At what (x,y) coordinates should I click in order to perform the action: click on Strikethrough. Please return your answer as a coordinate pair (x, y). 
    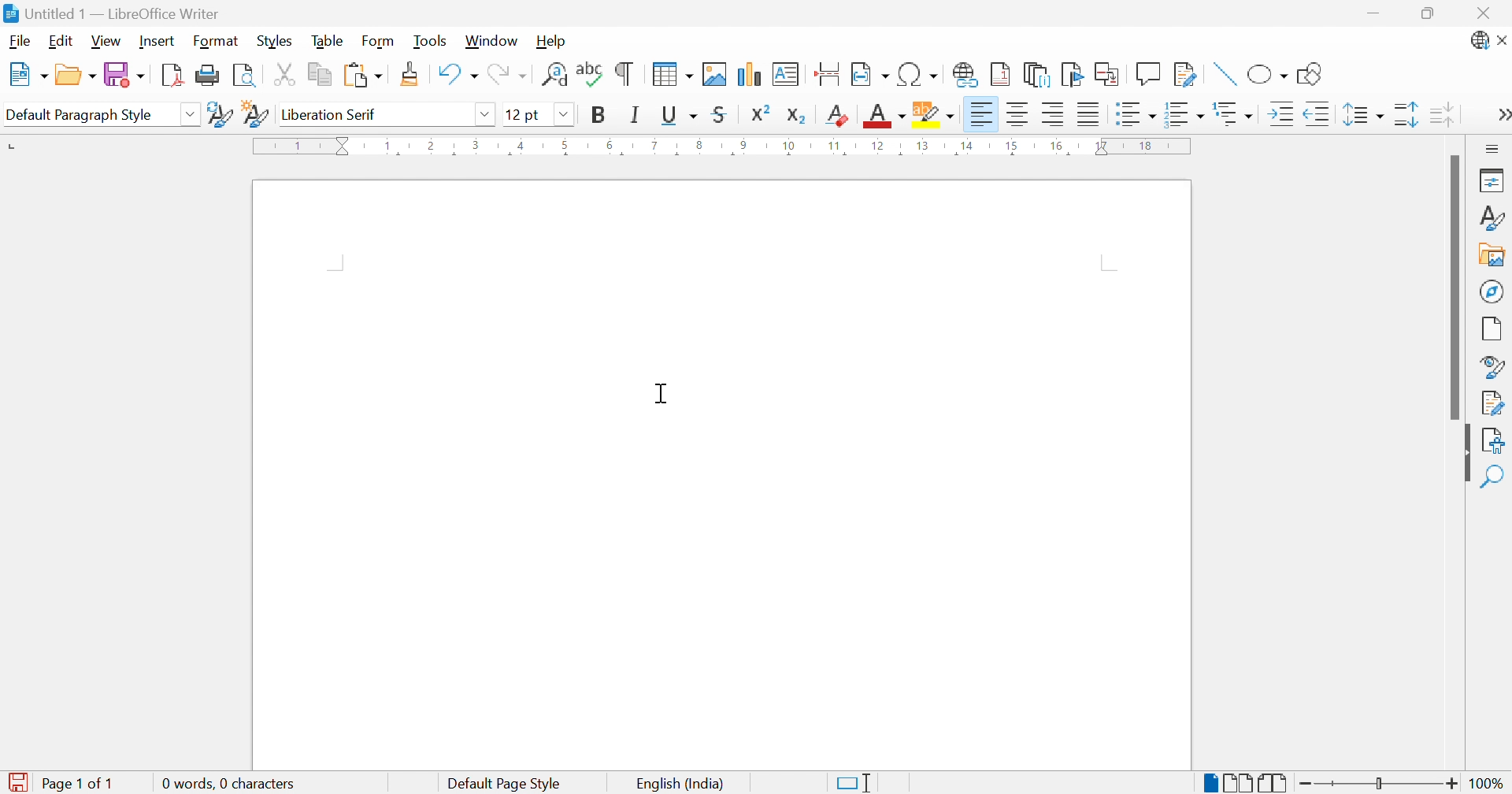
    Looking at the image, I should click on (723, 114).